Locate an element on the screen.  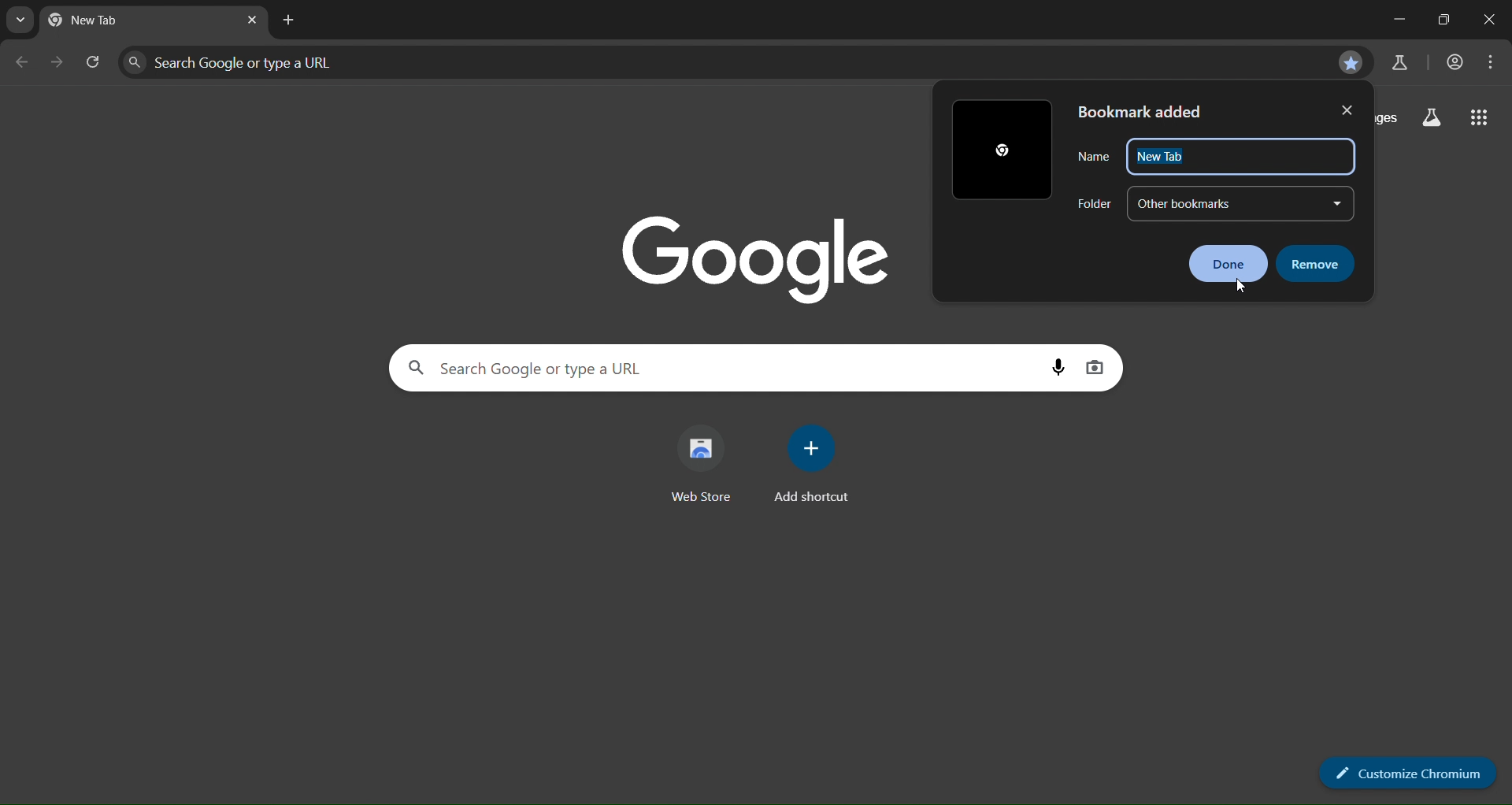
customize chromium is located at coordinates (1402, 773).